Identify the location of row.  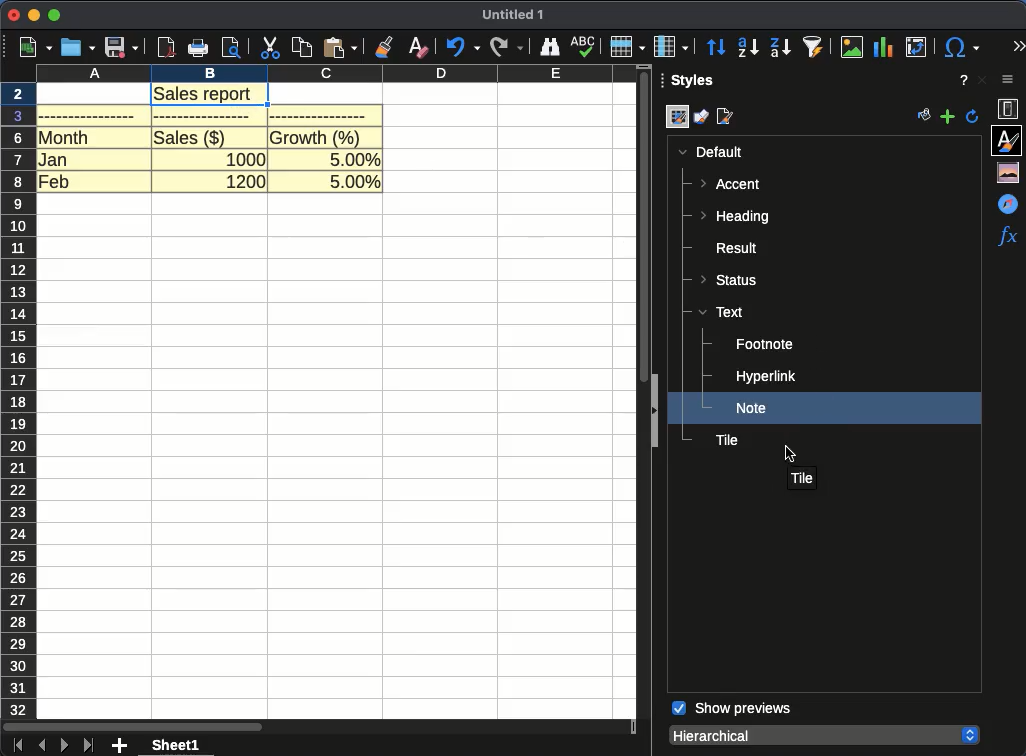
(627, 46).